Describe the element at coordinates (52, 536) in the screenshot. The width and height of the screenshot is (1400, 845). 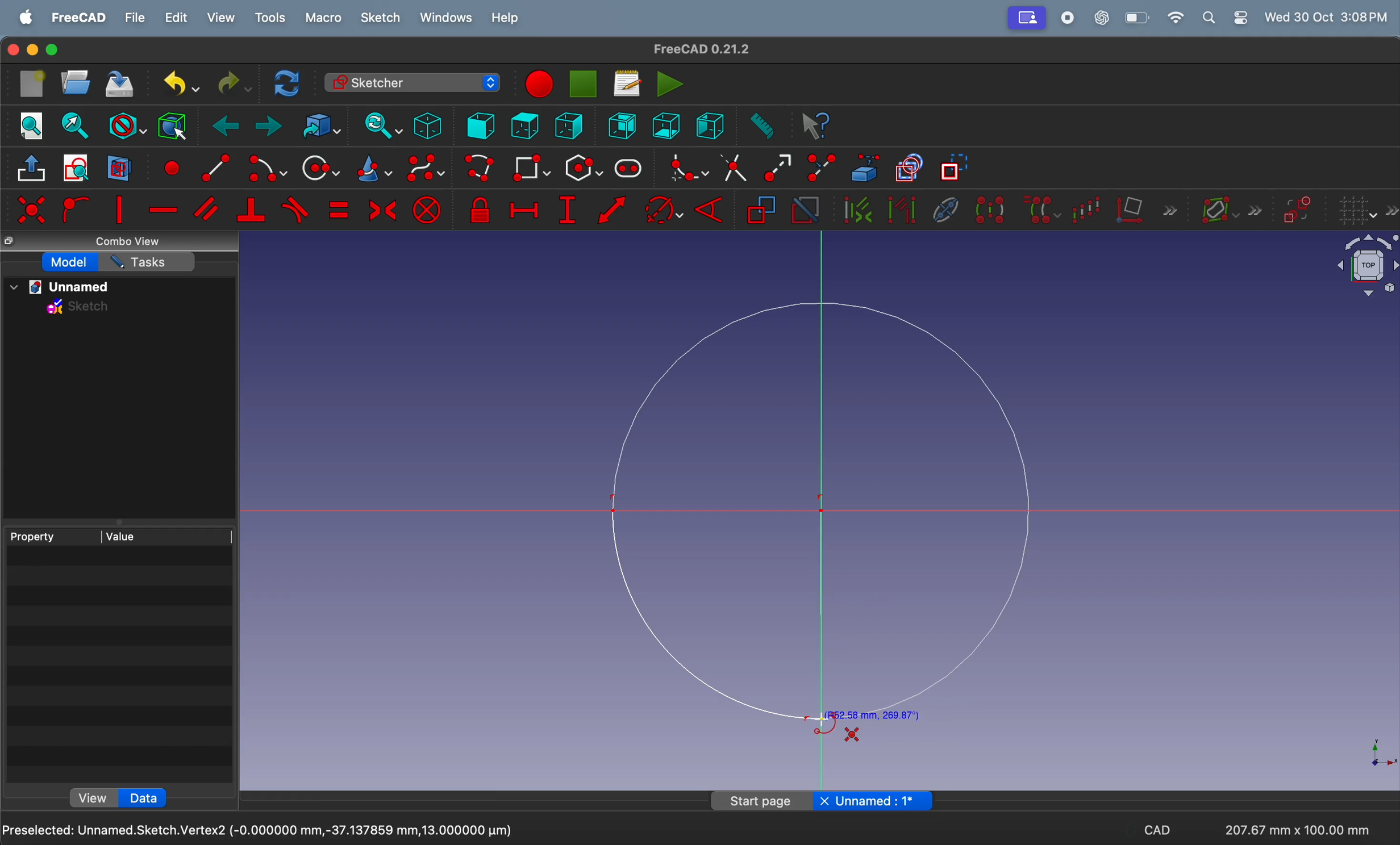
I see `property` at that location.